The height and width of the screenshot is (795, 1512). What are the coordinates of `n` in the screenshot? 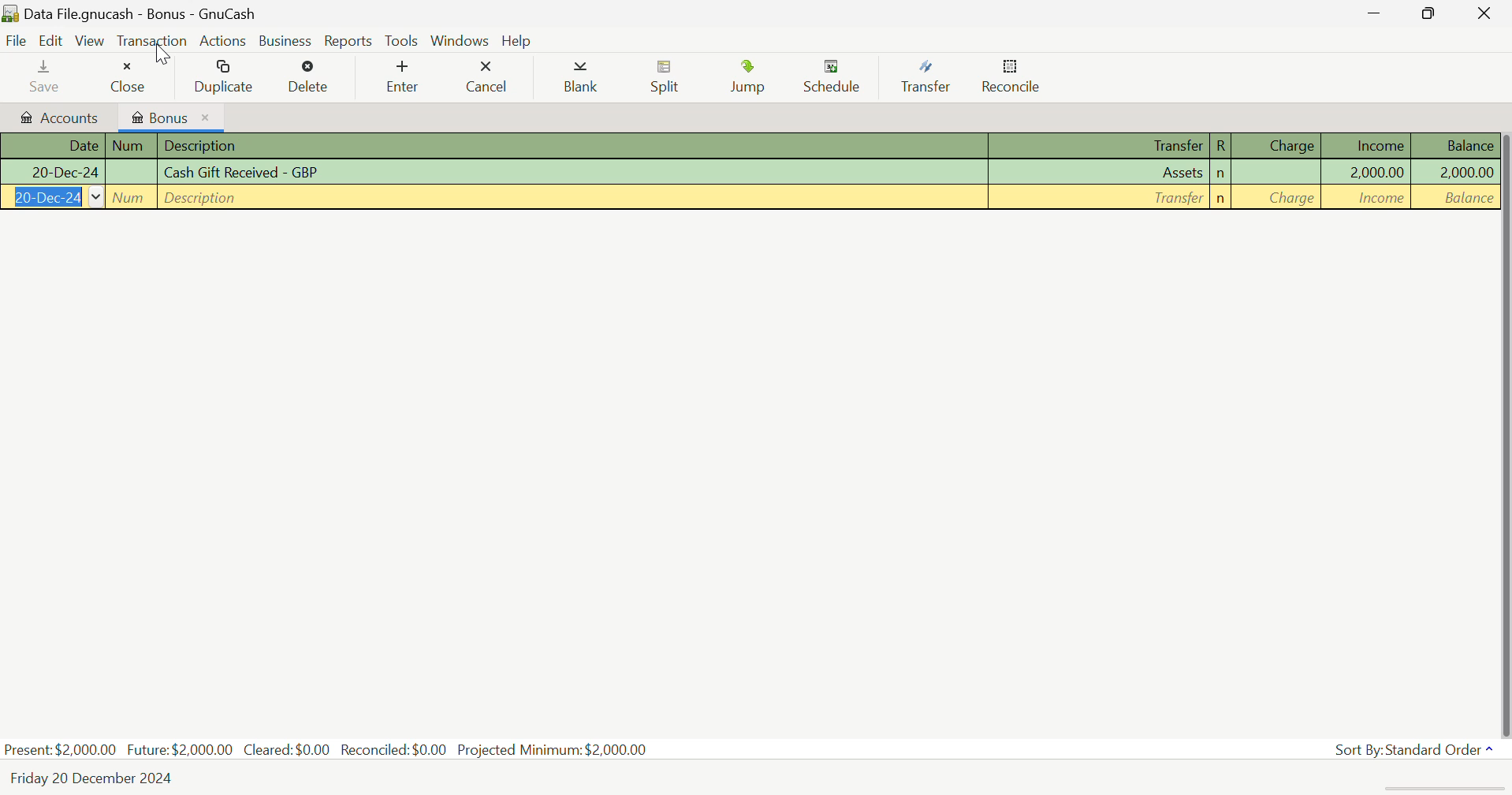 It's located at (1221, 199).